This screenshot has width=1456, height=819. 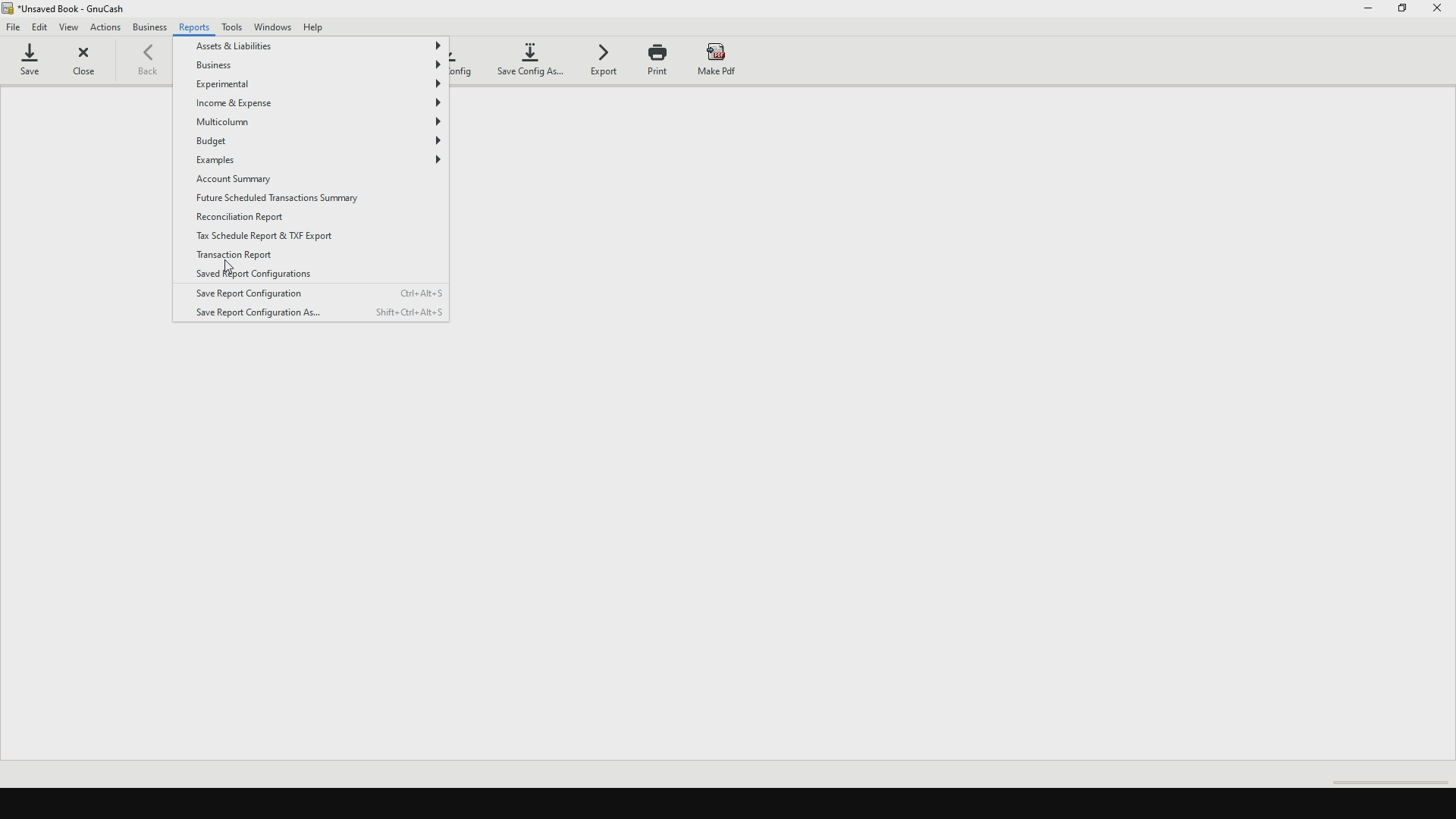 I want to click on income and expense, so click(x=319, y=104).